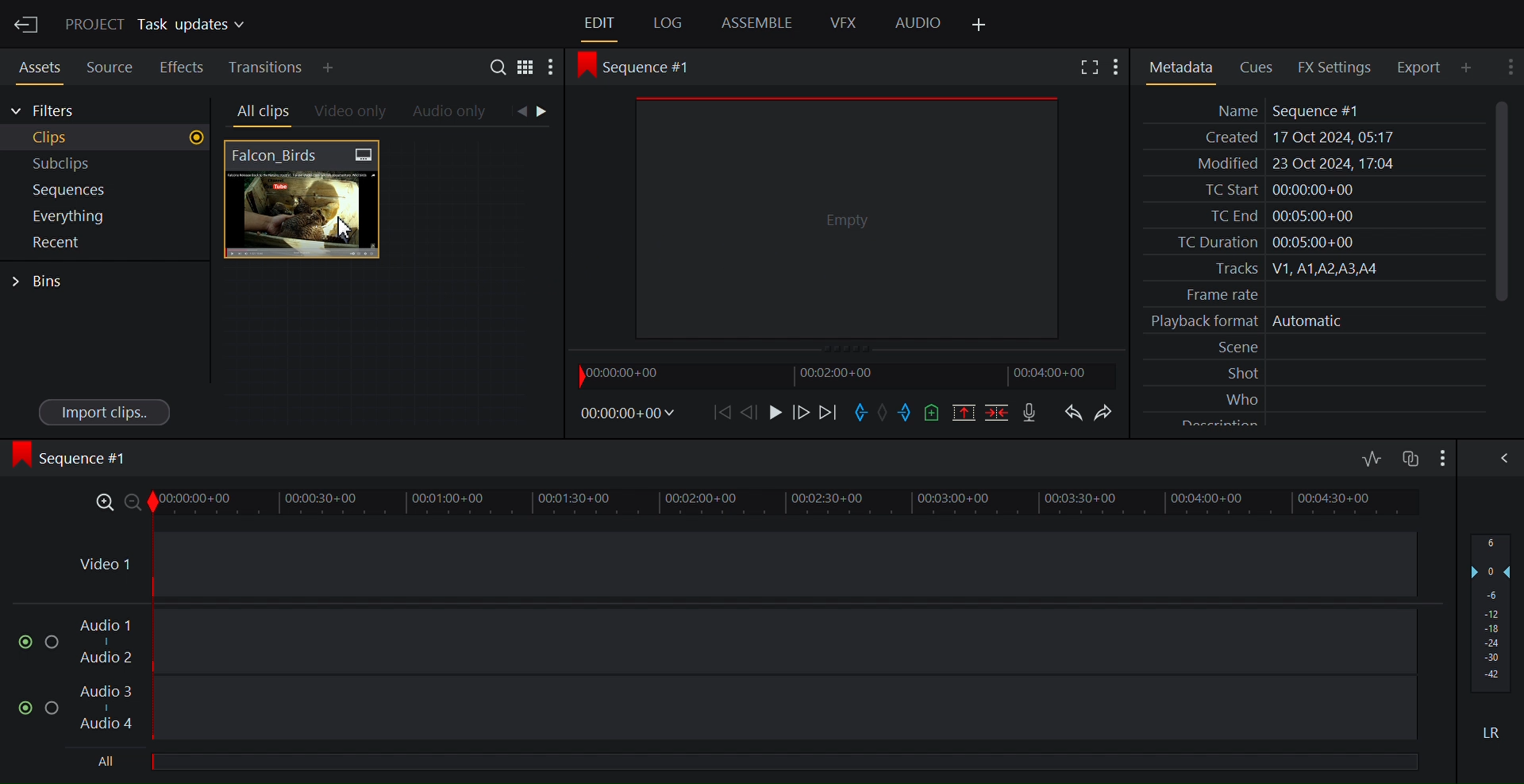  Describe the element at coordinates (860, 413) in the screenshot. I see `Mark in` at that location.